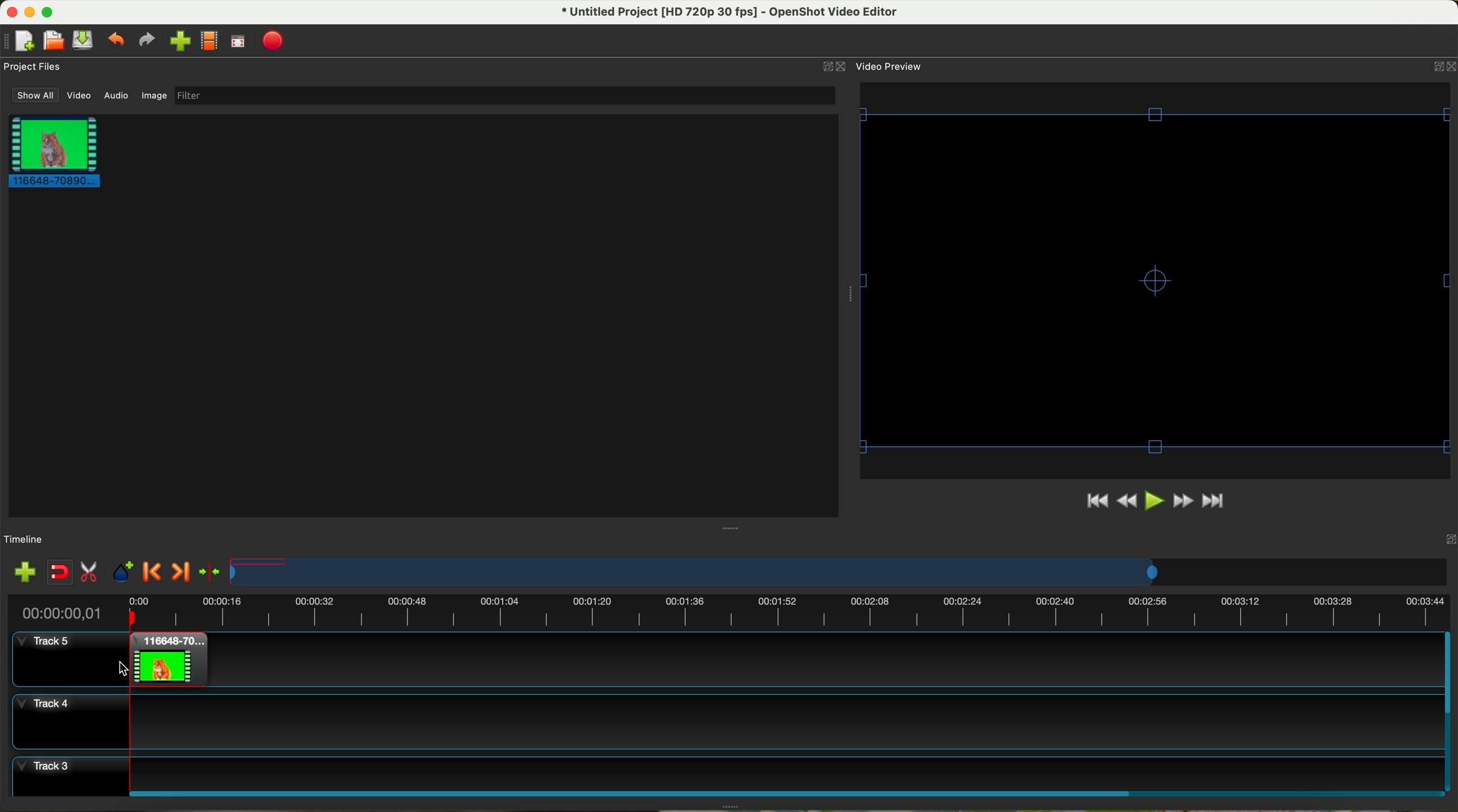  Describe the element at coordinates (1442, 68) in the screenshot. I see `close` at that location.